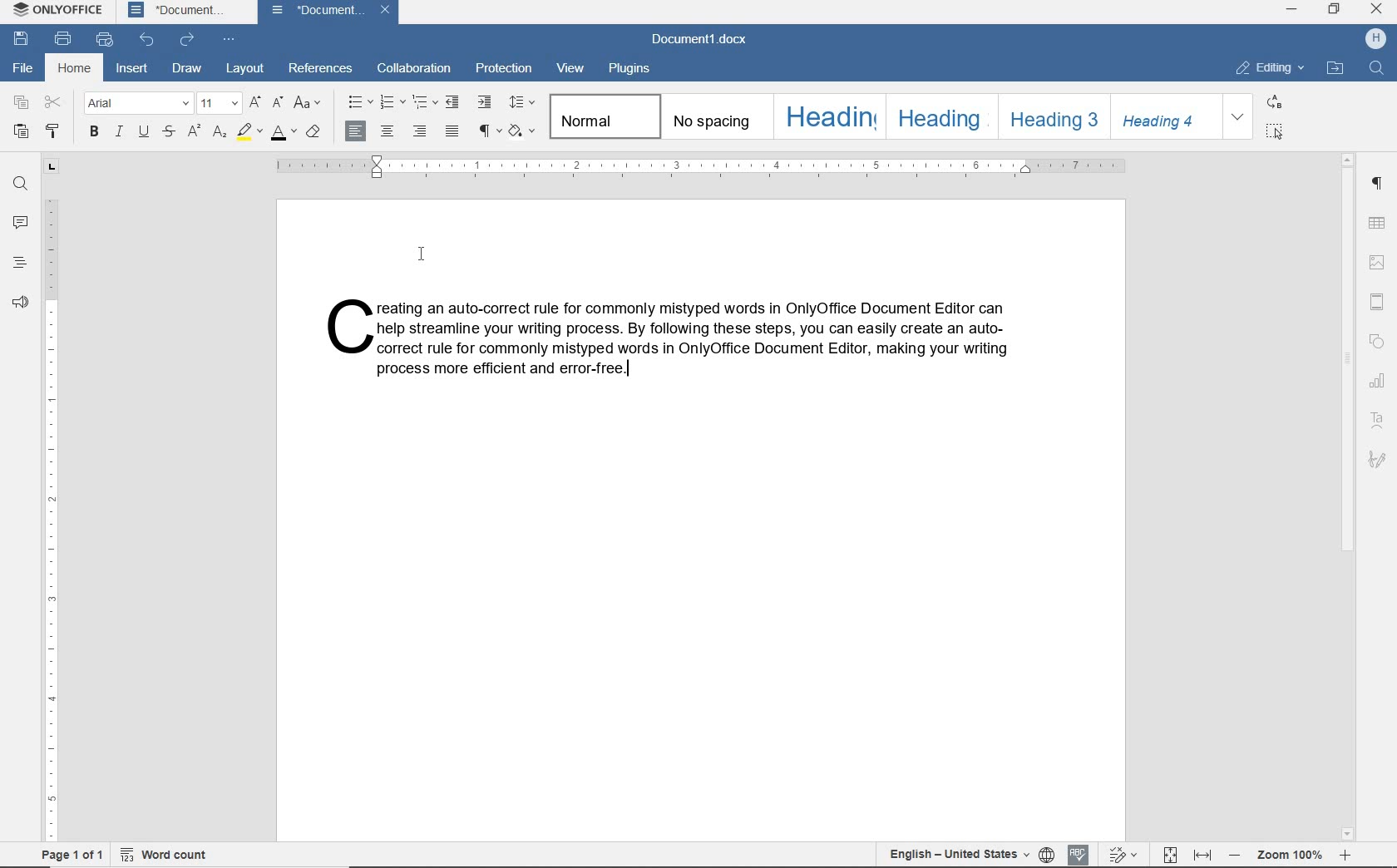  What do you see at coordinates (70, 856) in the screenshot?
I see `PAGE 1 OF 1` at bounding box center [70, 856].